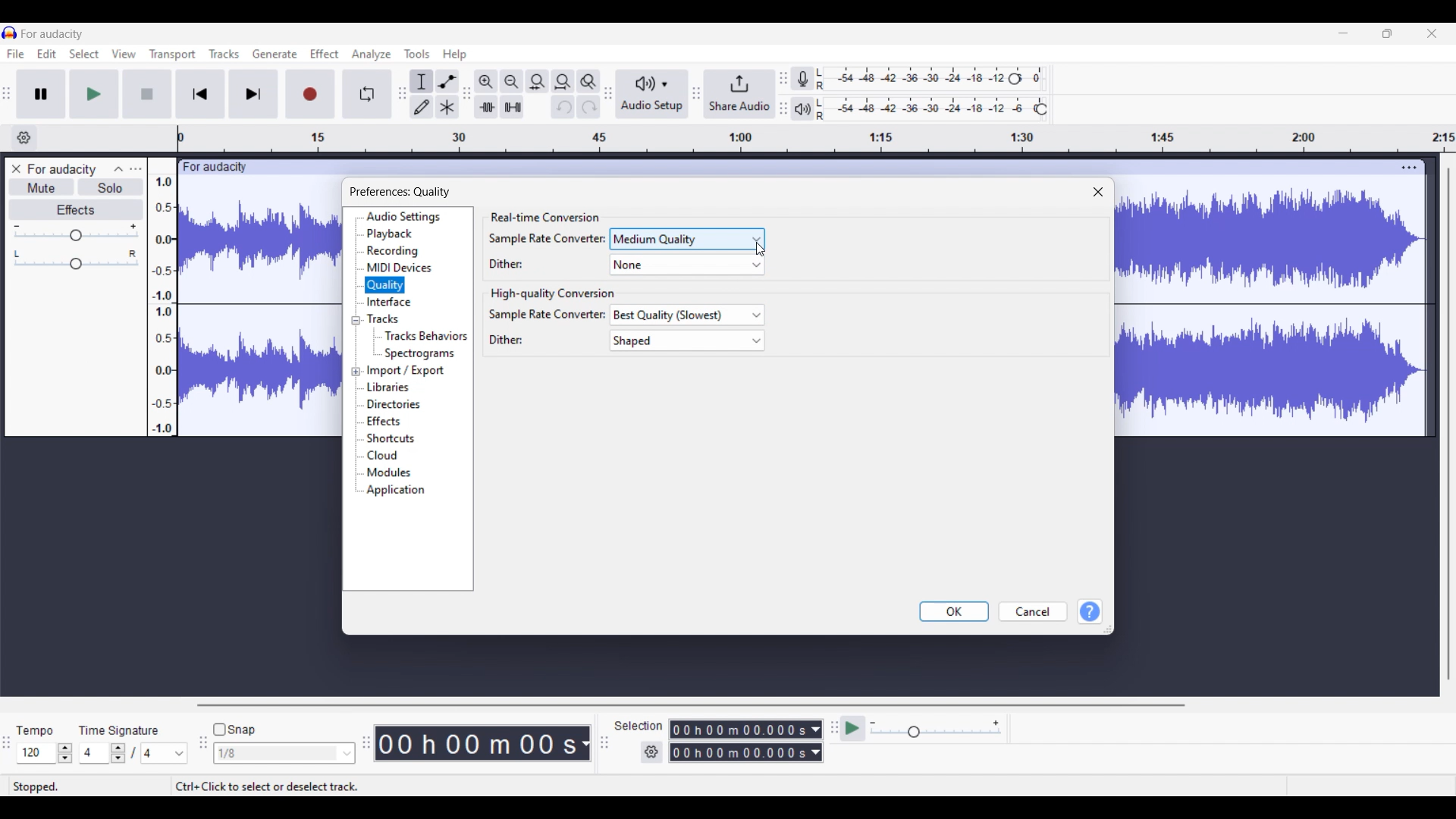 The height and width of the screenshot is (819, 1456). I want to click on 0, so click(1040, 74).